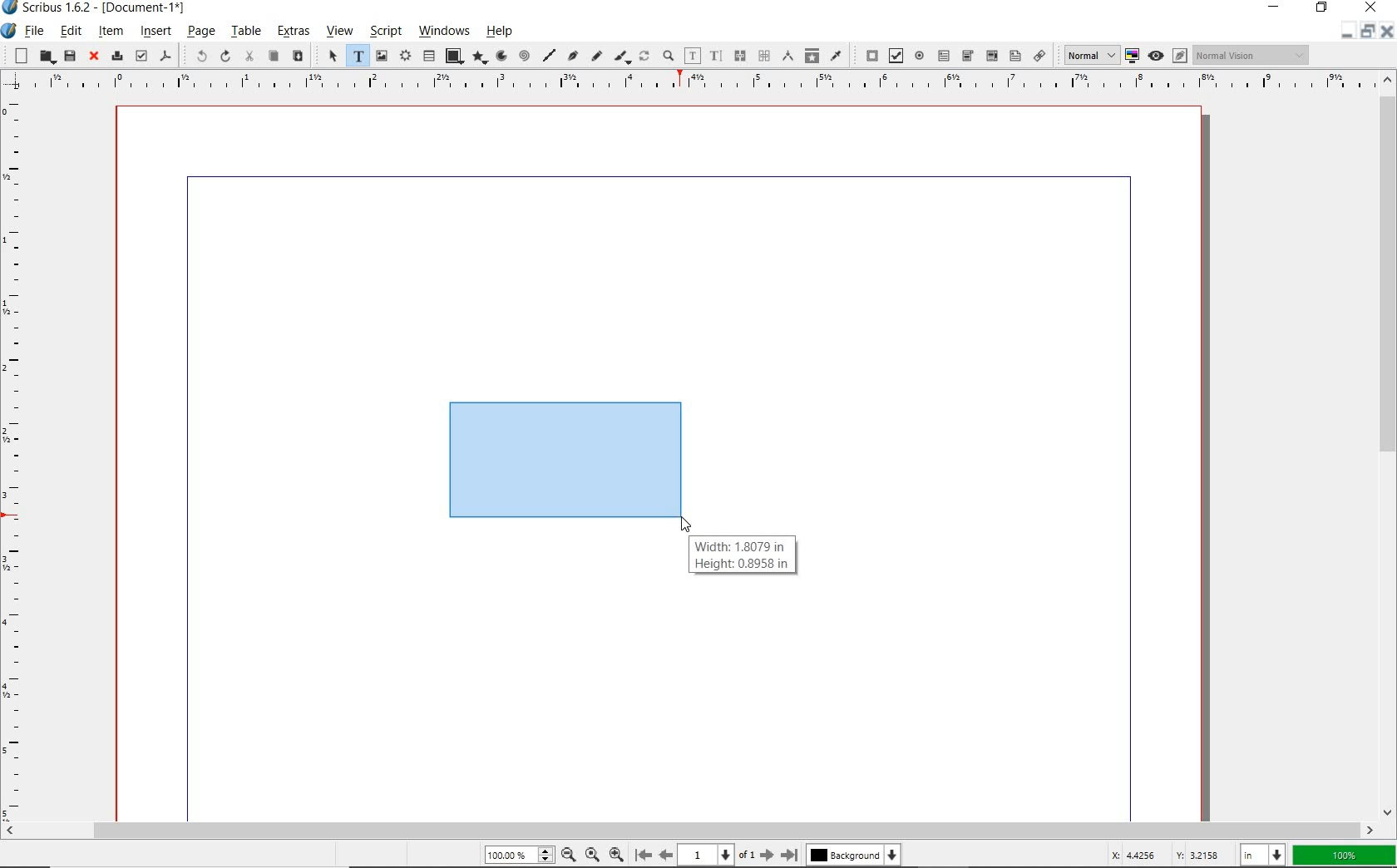 This screenshot has width=1397, height=868. Describe the element at coordinates (1386, 32) in the screenshot. I see `Close` at that location.